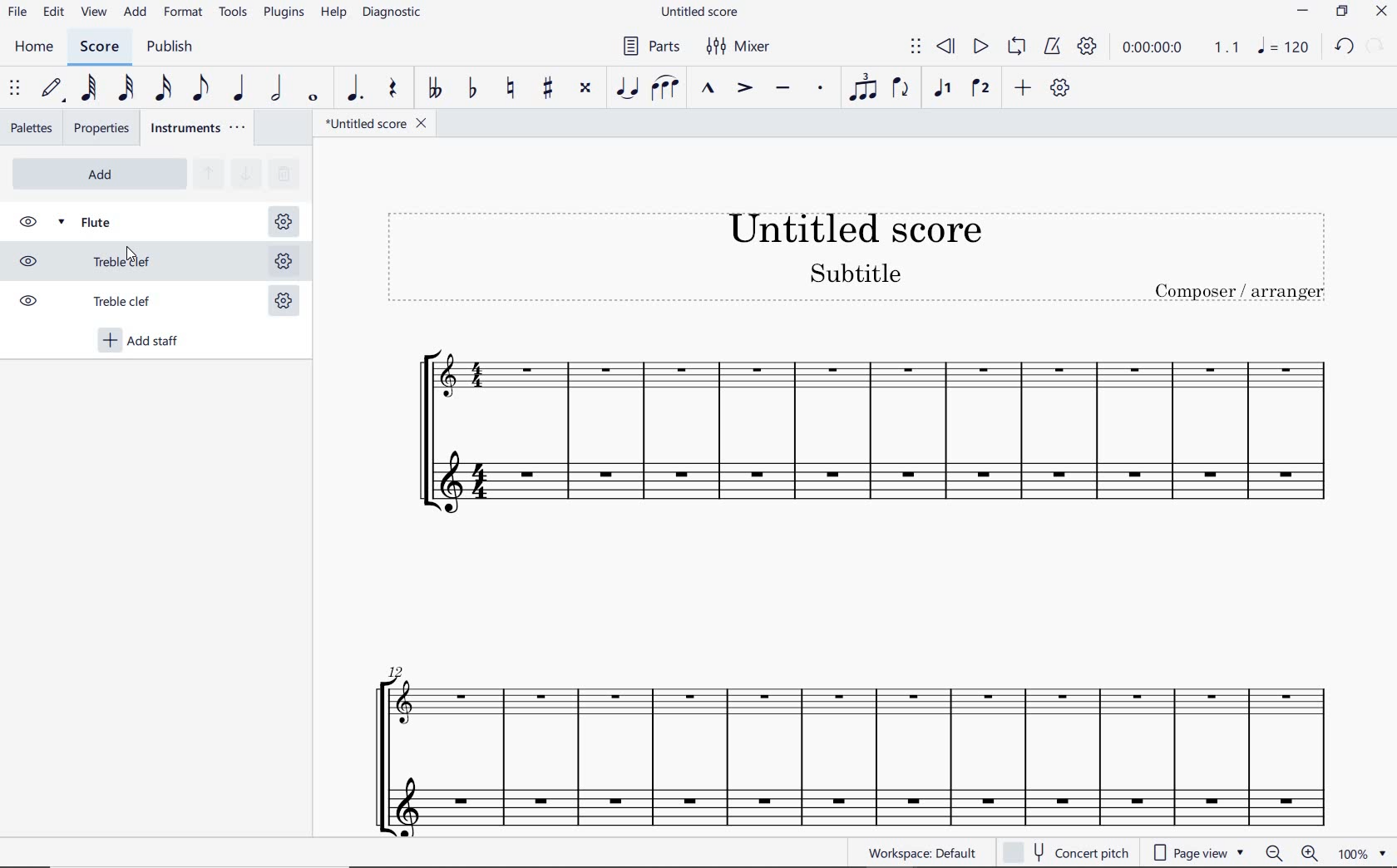 This screenshot has height=868, width=1397. What do you see at coordinates (1015, 50) in the screenshot?
I see `LOOP PLAYBACK` at bounding box center [1015, 50].